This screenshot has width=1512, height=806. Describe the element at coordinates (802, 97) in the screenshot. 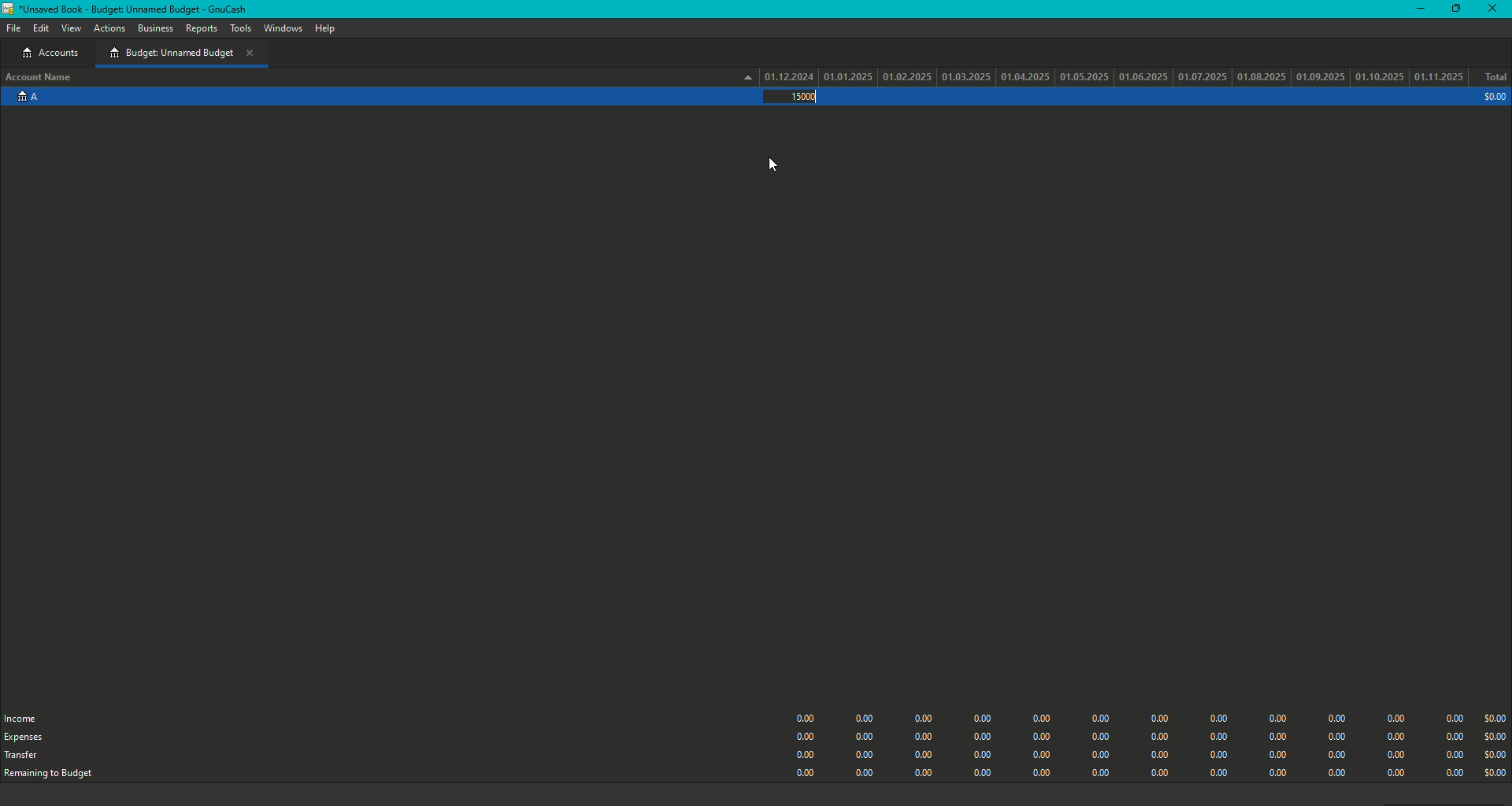

I see `15000` at that location.